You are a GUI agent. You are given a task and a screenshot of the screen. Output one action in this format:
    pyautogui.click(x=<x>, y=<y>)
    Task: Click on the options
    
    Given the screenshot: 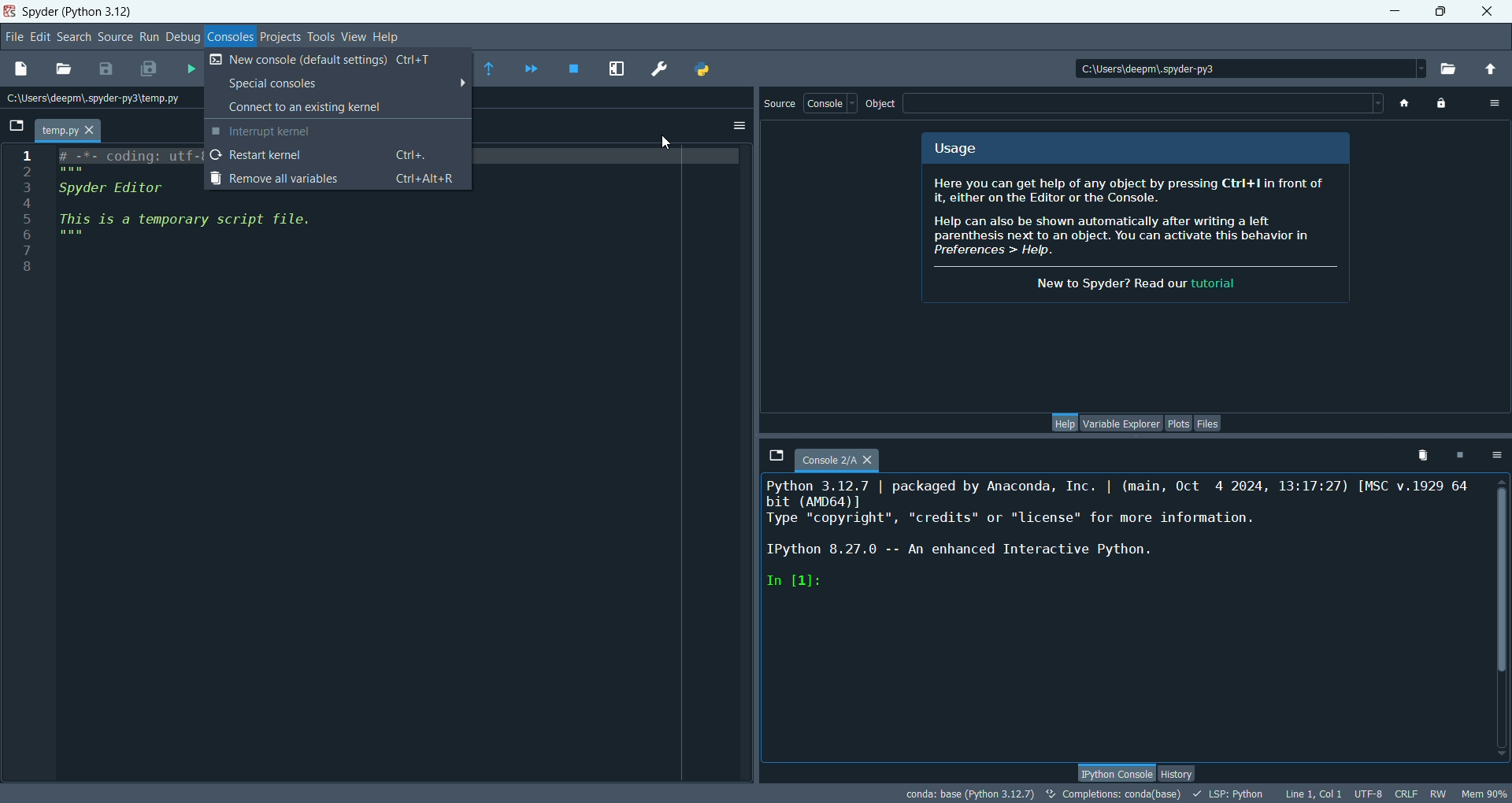 What is the action you would take?
    pyautogui.click(x=1498, y=456)
    